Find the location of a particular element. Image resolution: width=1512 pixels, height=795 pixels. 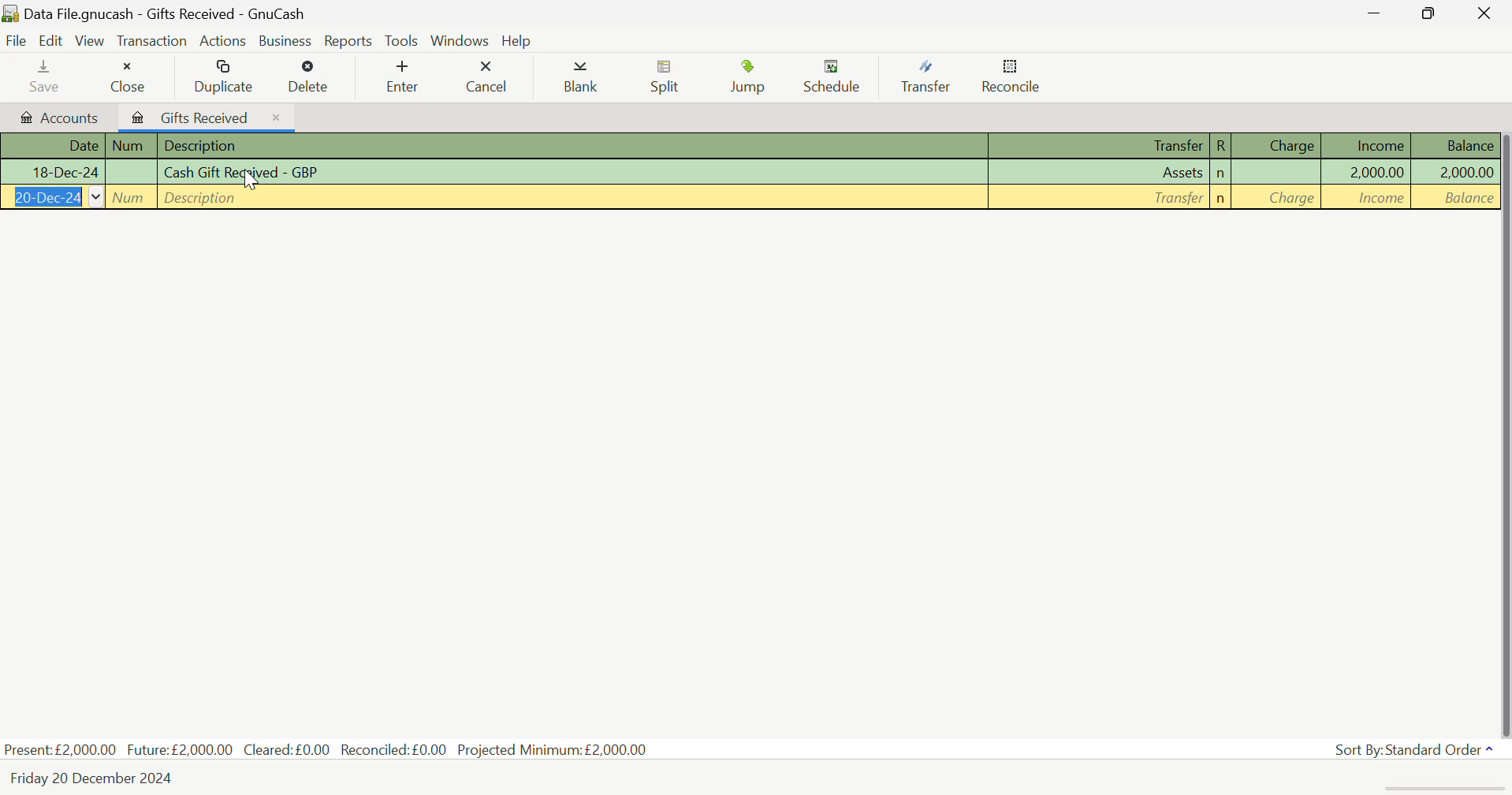

Cleared is located at coordinates (291, 749).